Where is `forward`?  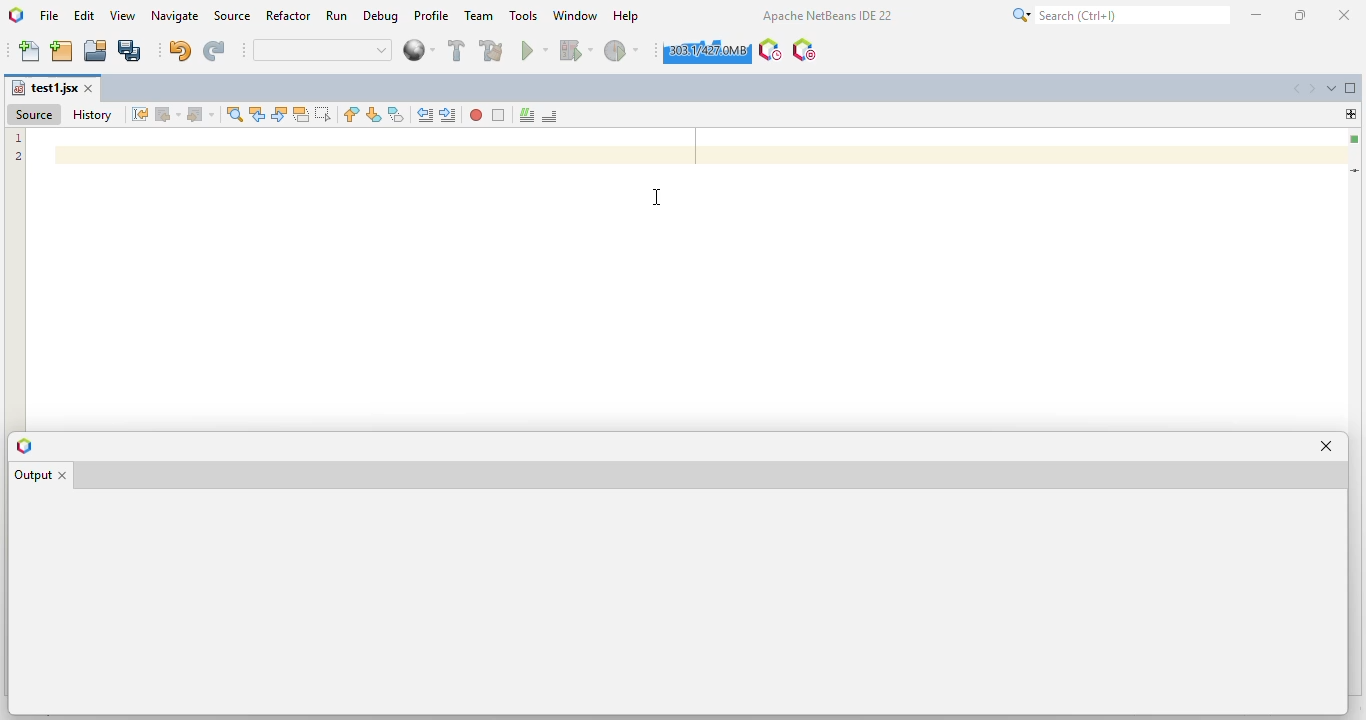 forward is located at coordinates (201, 115).